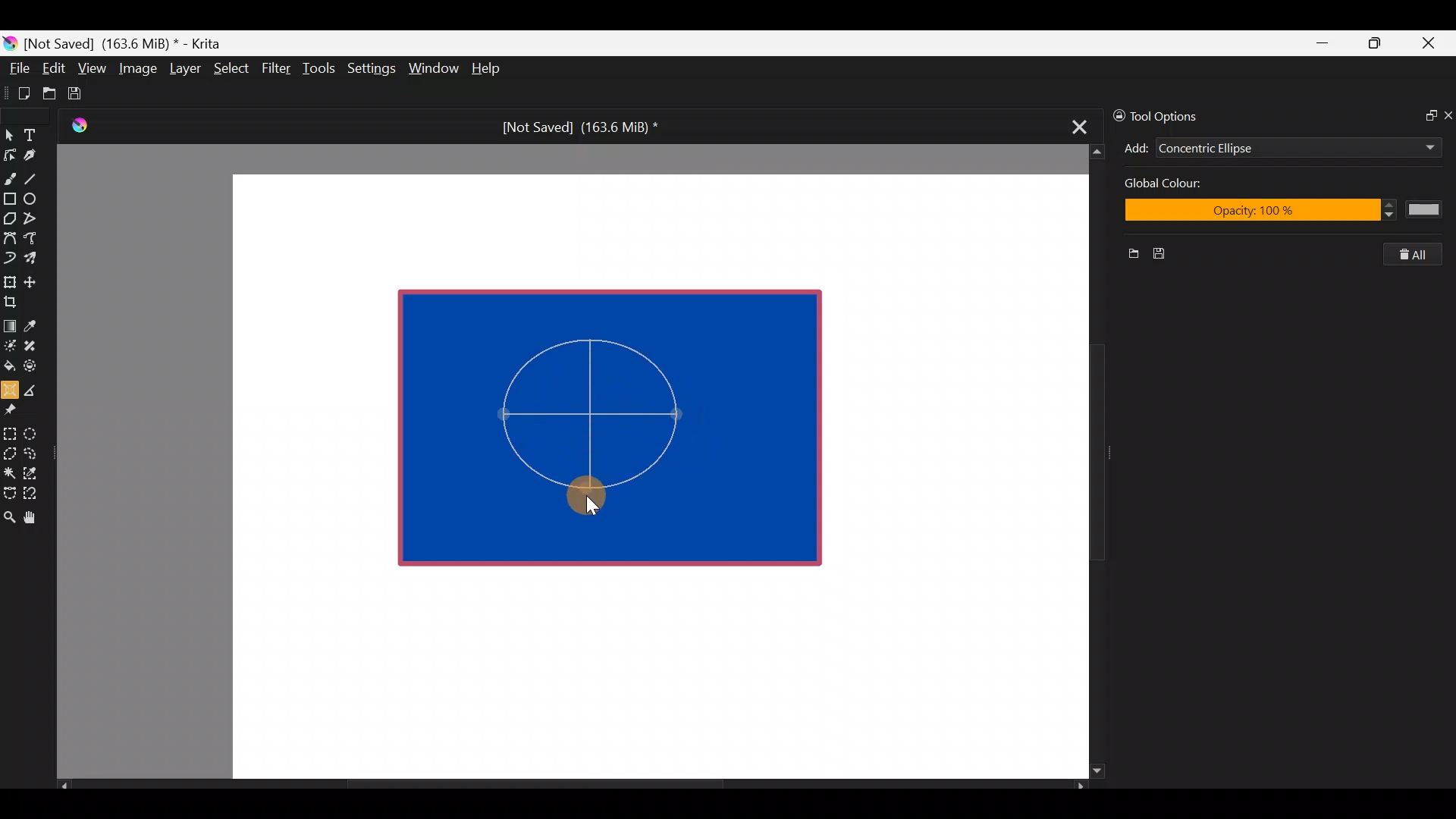 This screenshot has height=819, width=1456. I want to click on Layer, so click(184, 72).